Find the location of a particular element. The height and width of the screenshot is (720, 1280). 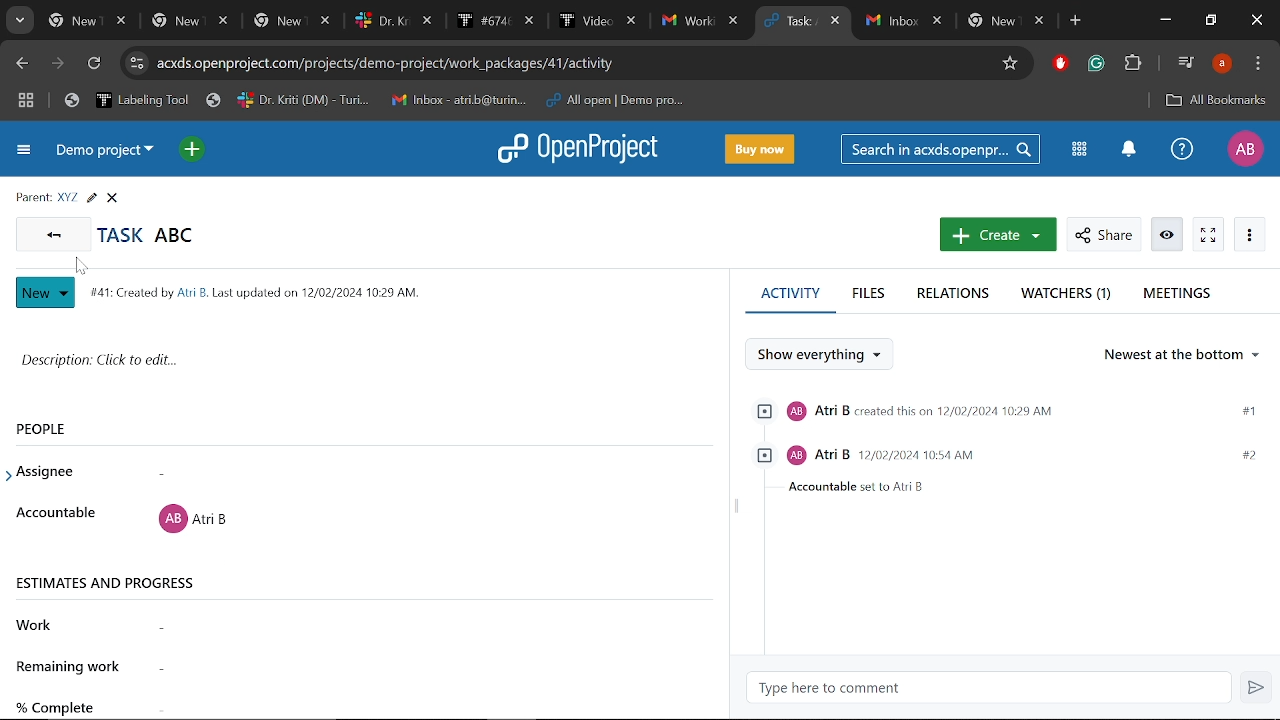

Task description is located at coordinates (321, 362).